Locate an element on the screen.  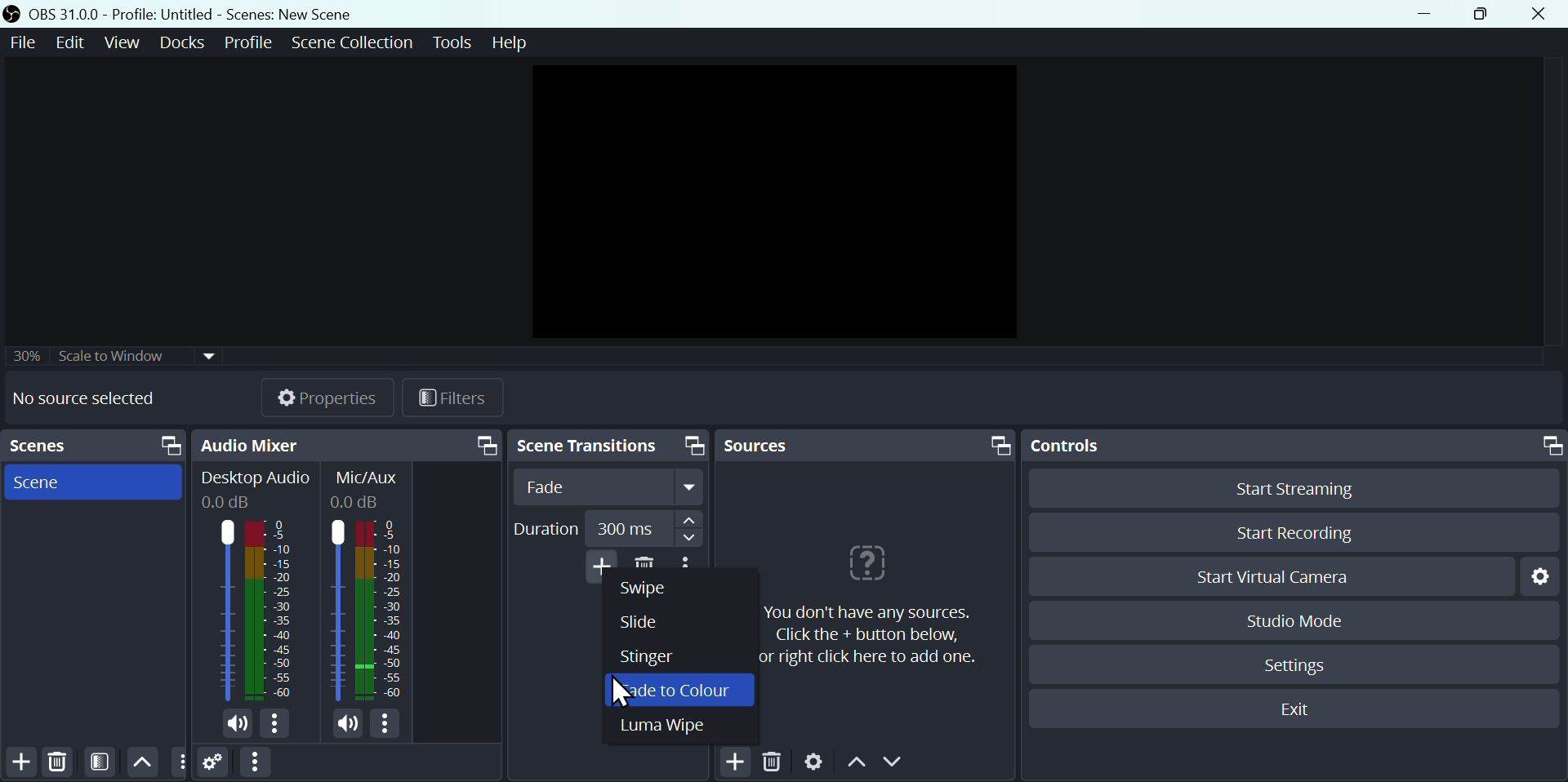
scenes is located at coordinates (93, 482).